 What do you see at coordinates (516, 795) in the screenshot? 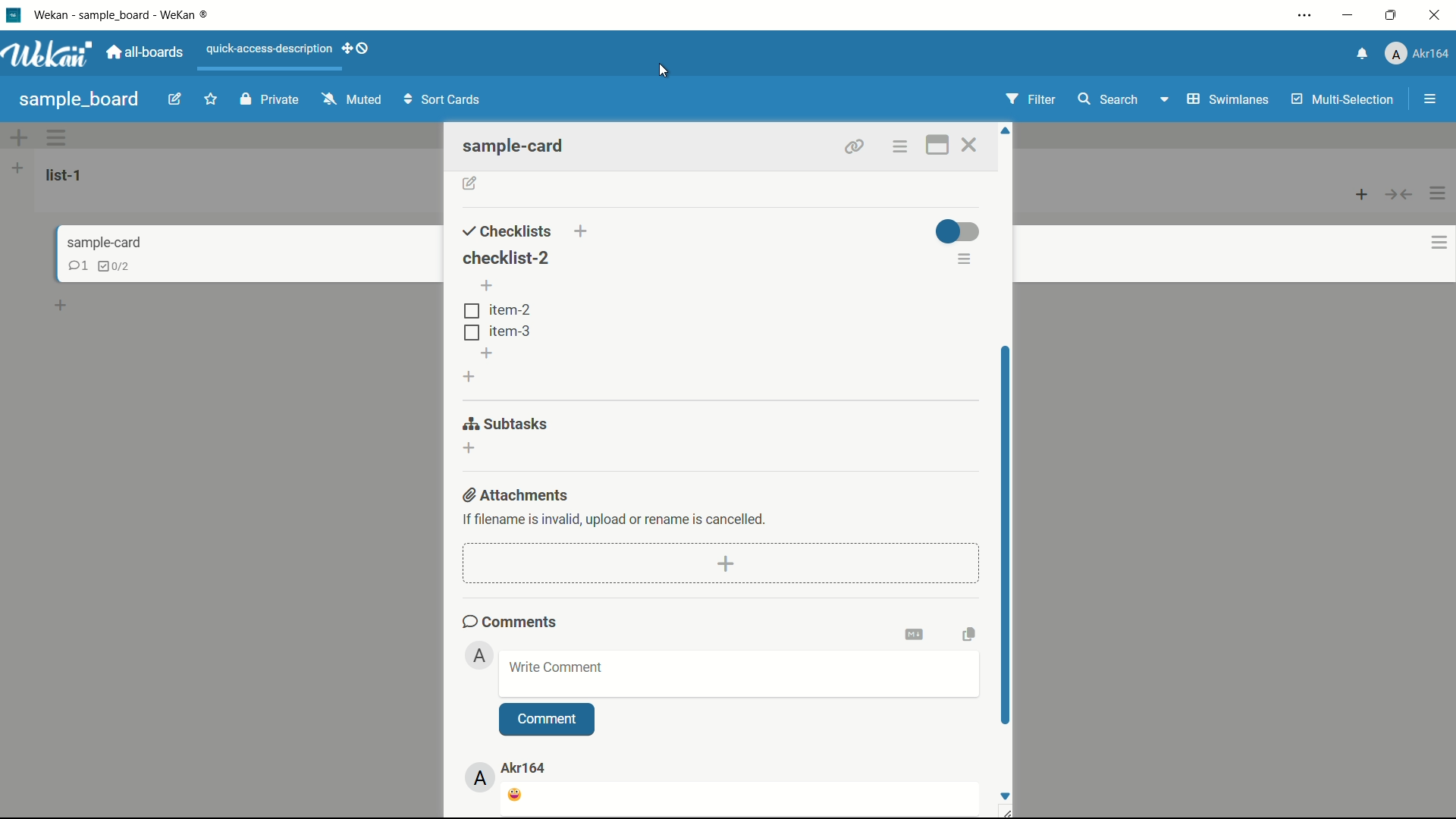
I see `comment added` at bounding box center [516, 795].